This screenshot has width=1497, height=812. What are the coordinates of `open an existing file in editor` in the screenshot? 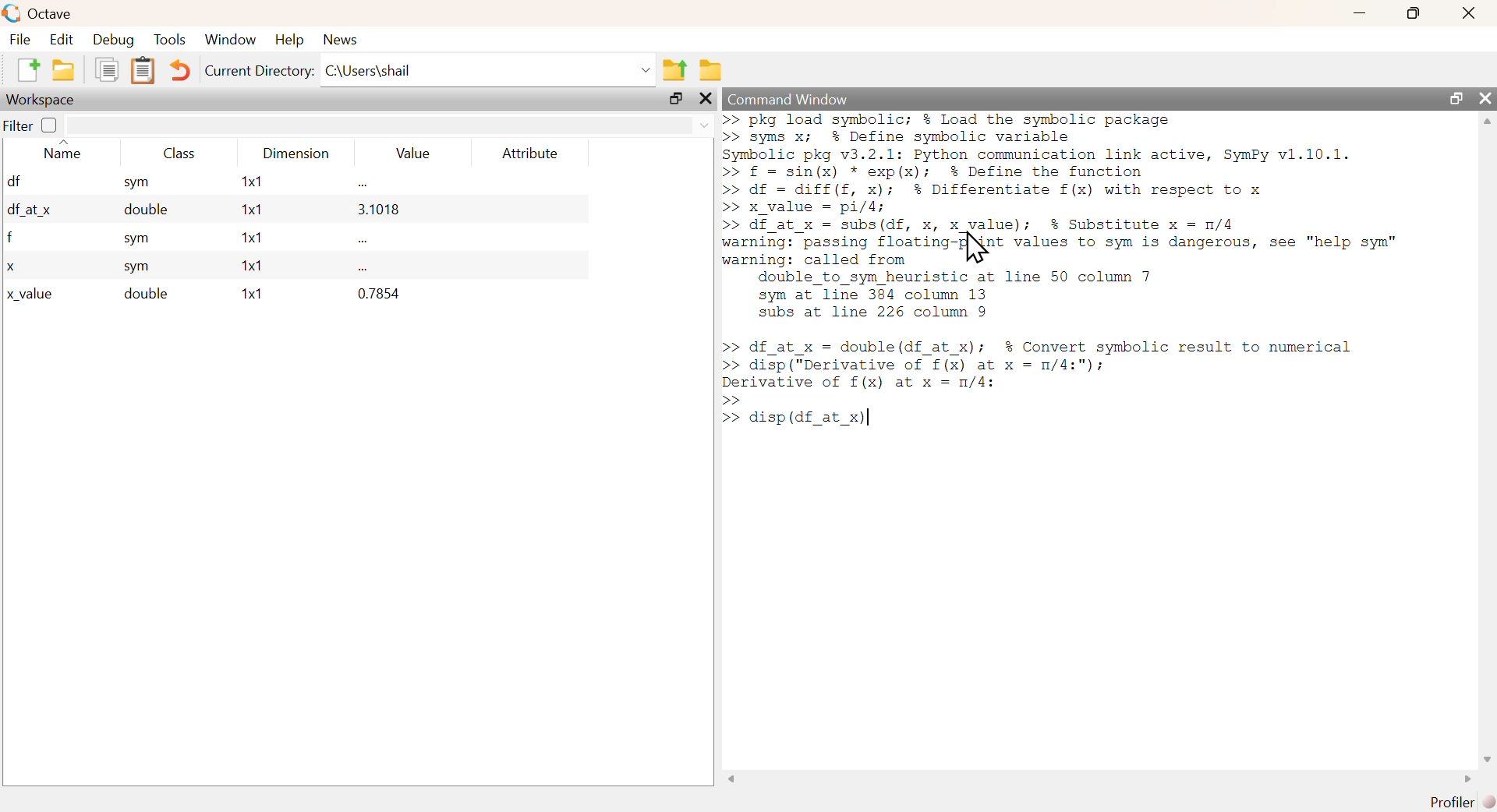 It's located at (65, 69).